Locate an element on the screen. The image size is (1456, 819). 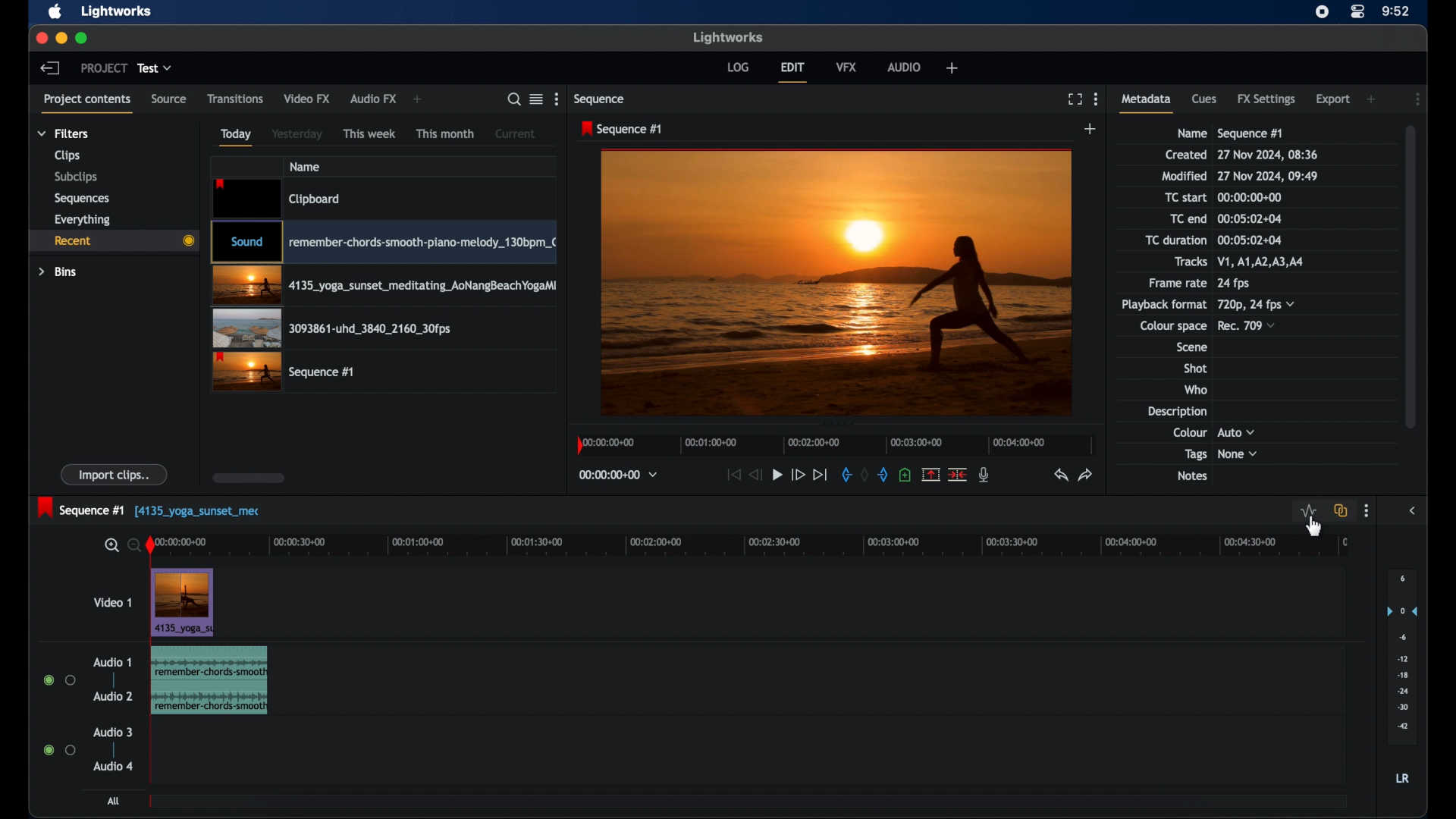
playback format is located at coordinates (1163, 304).